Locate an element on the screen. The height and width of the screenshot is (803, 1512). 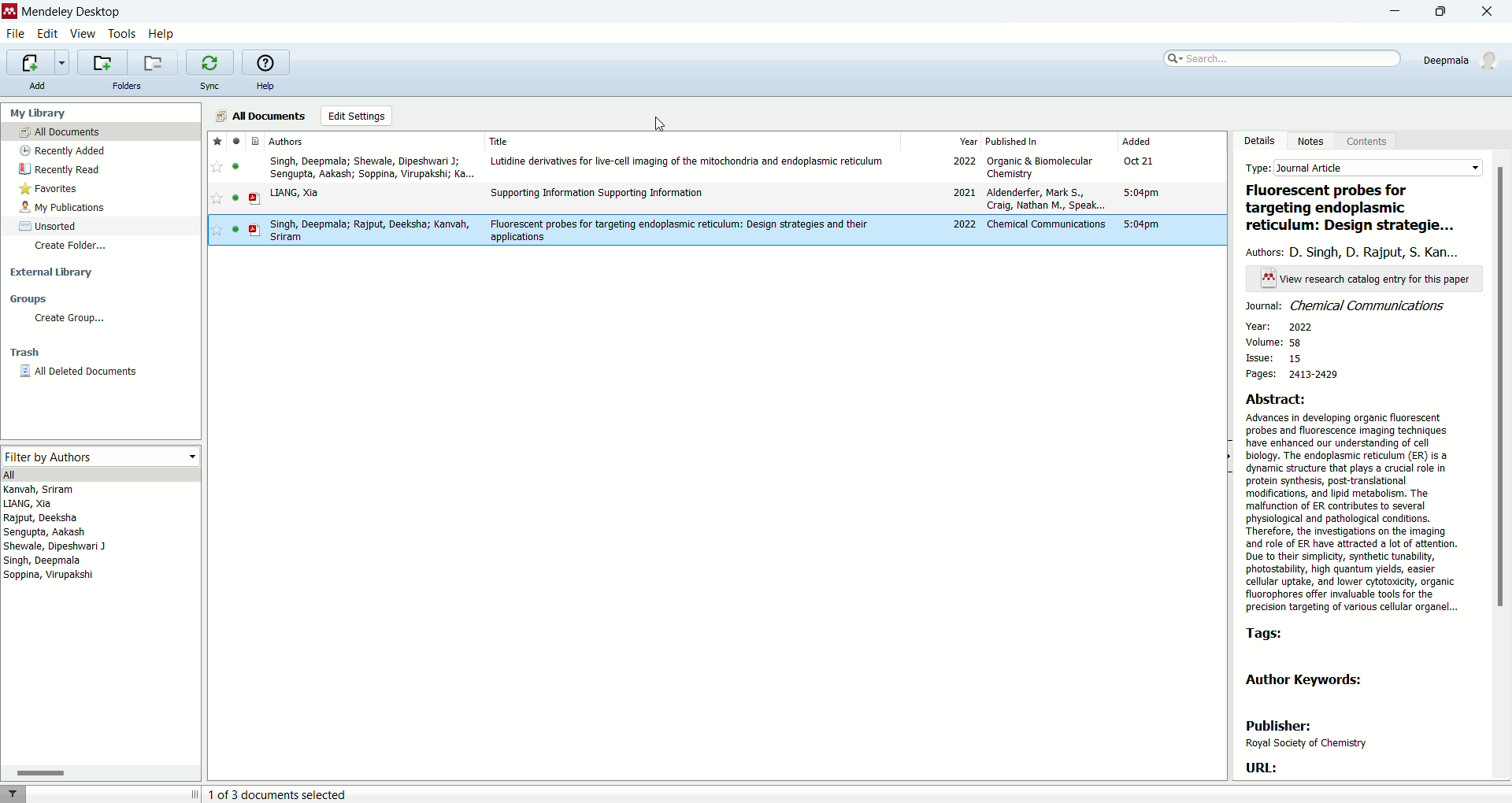
volume is located at coordinates (1286, 342).